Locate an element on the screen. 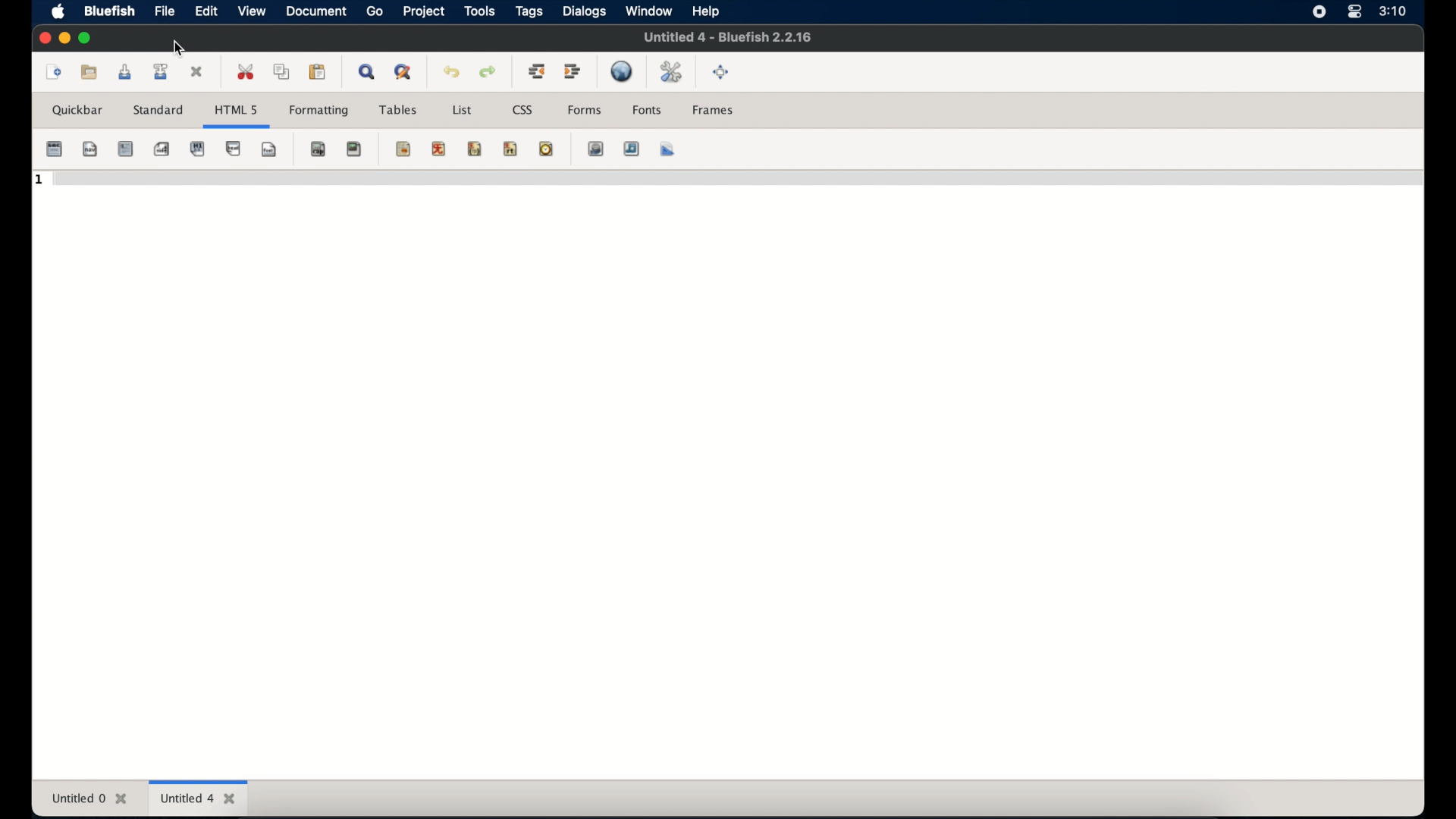  emphasis is located at coordinates (162, 149).